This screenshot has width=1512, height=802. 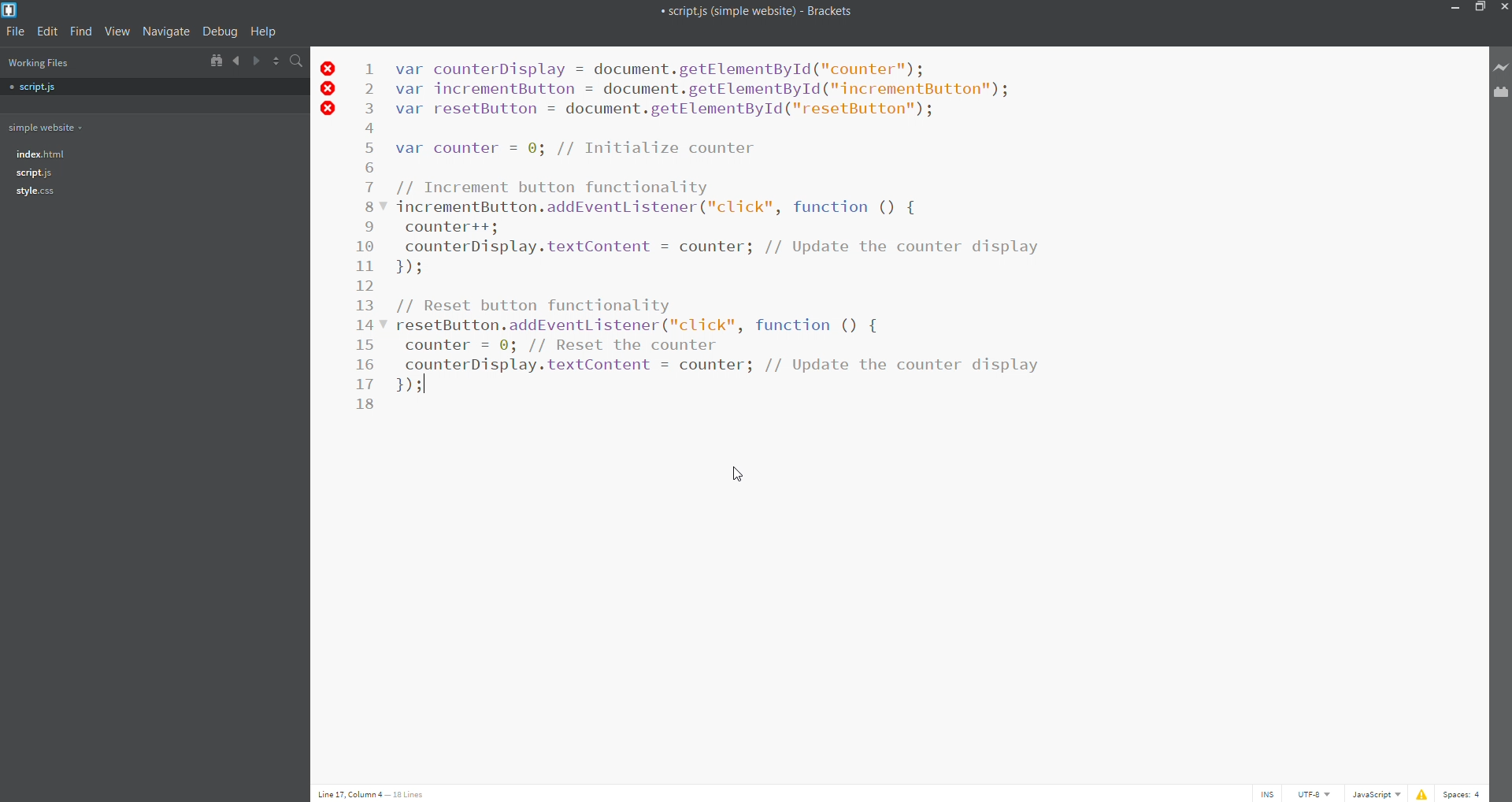 What do you see at coordinates (38, 63) in the screenshot?
I see `working files` at bounding box center [38, 63].